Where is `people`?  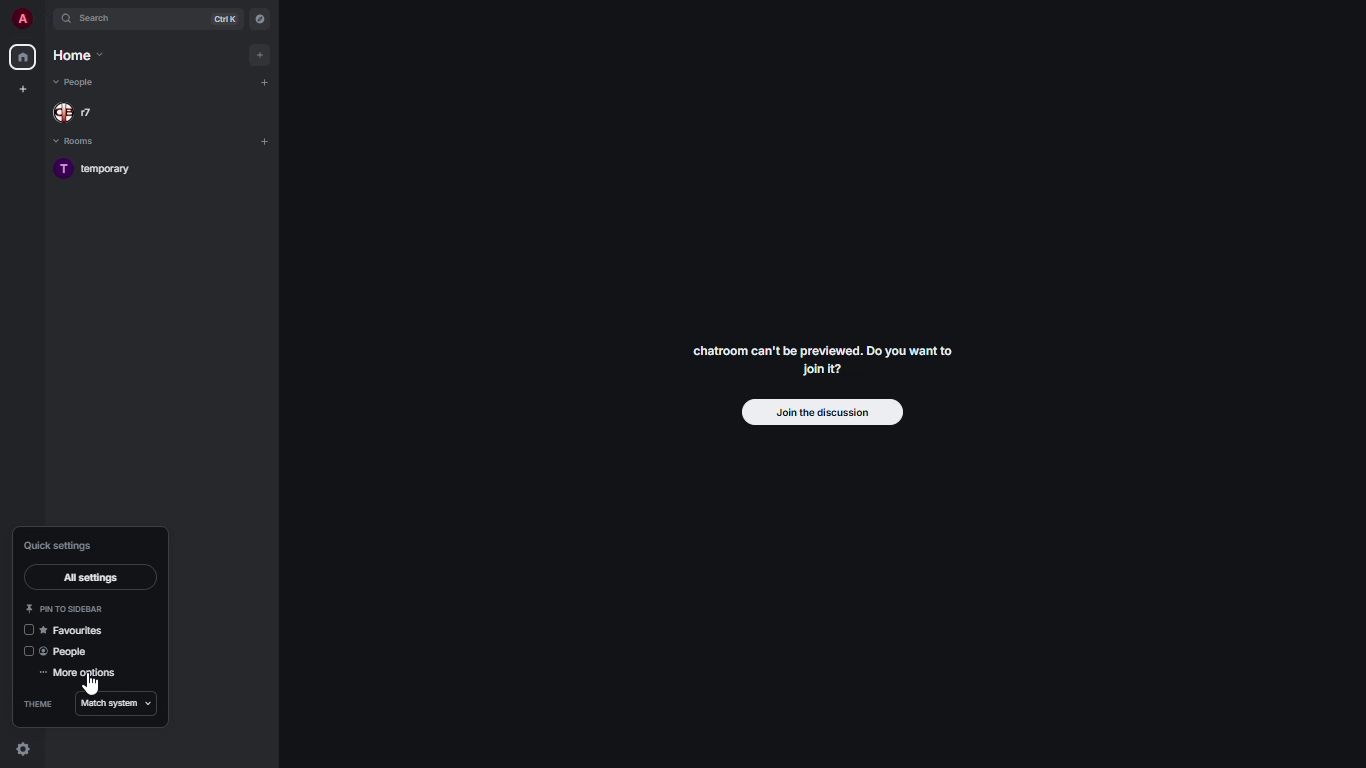
people is located at coordinates (71, 650).